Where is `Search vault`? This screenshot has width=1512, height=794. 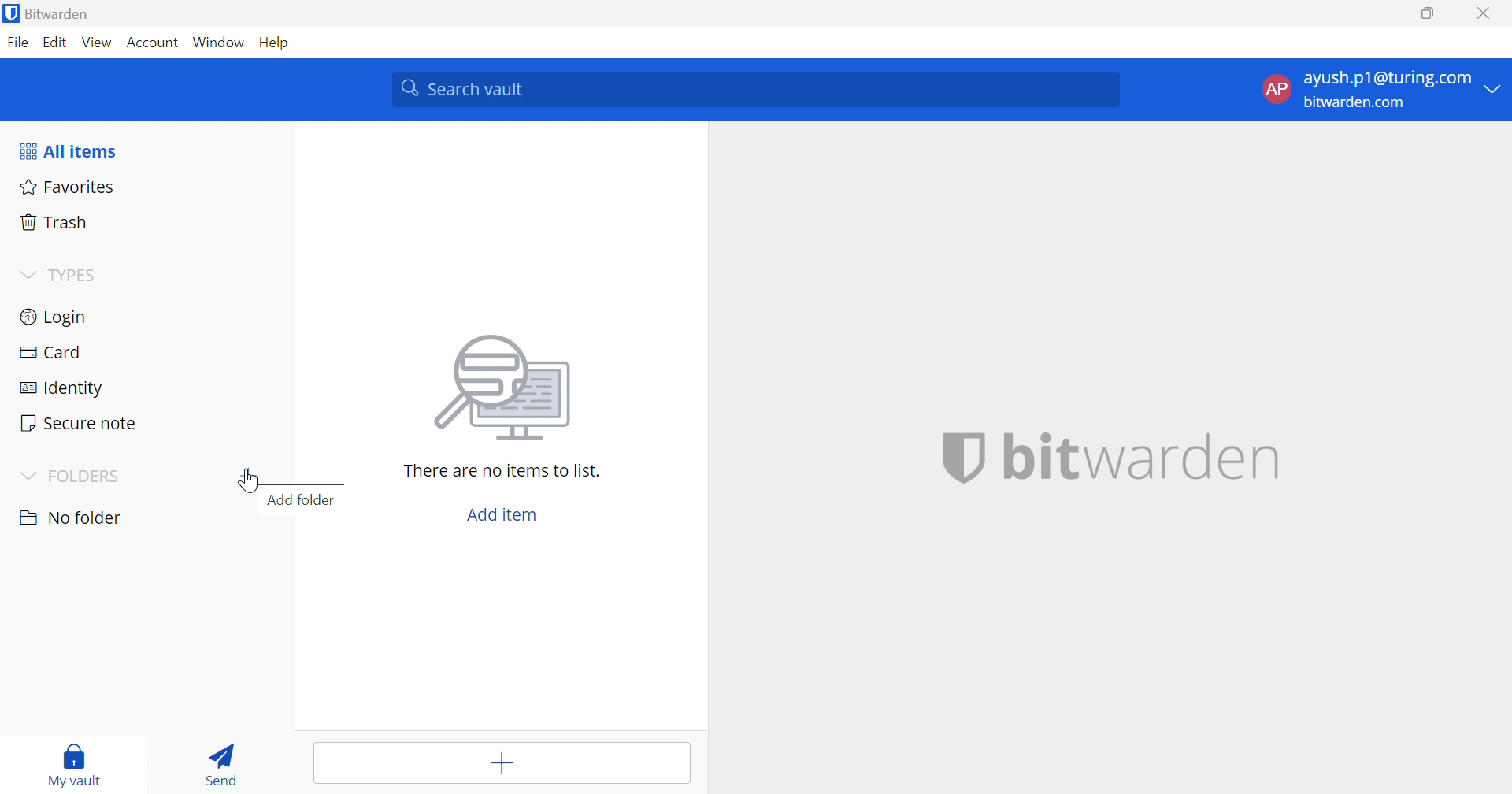
Search vault is located at coordinates (752, 89).